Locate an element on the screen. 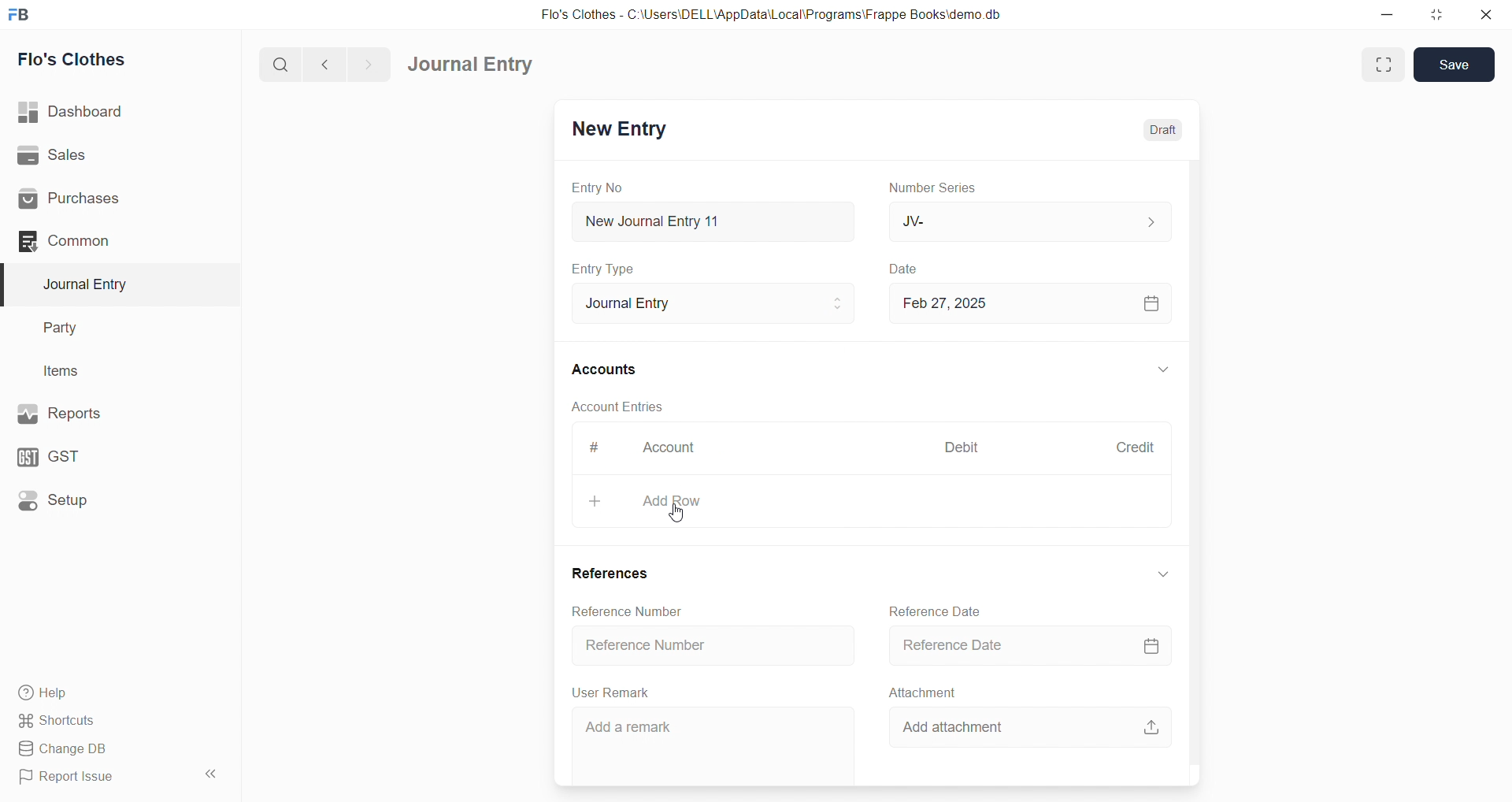 Image resolution: width=1512 pixels, height=802 pixels. resize is located at coordinates (1436, 13).